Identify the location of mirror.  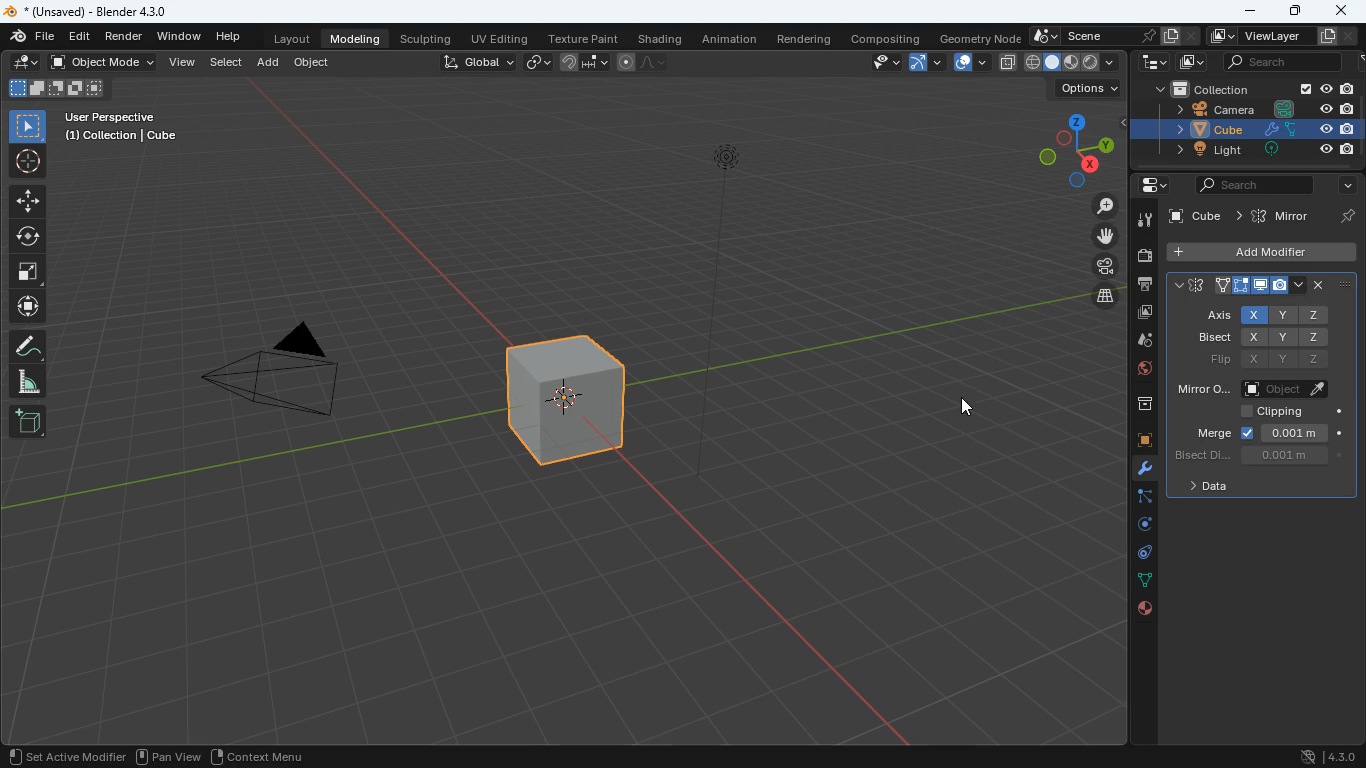
(1282, 216).